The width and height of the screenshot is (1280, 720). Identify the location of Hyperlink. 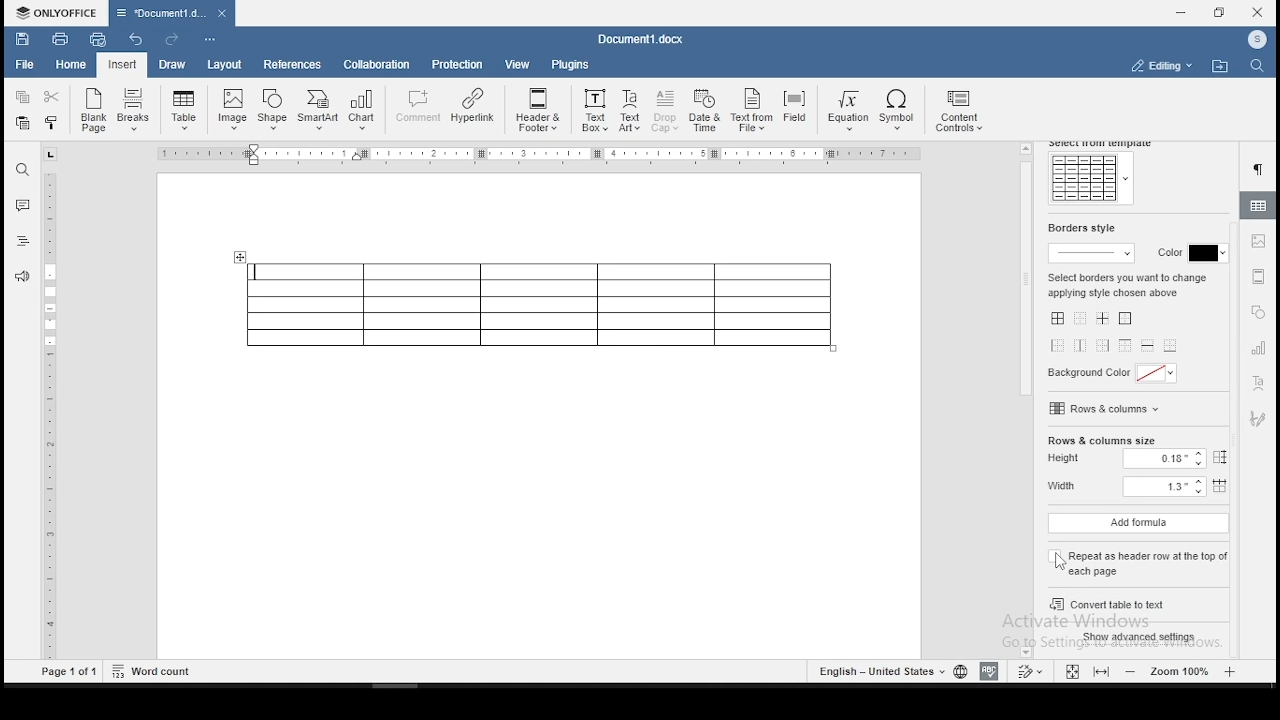
(473, 106).